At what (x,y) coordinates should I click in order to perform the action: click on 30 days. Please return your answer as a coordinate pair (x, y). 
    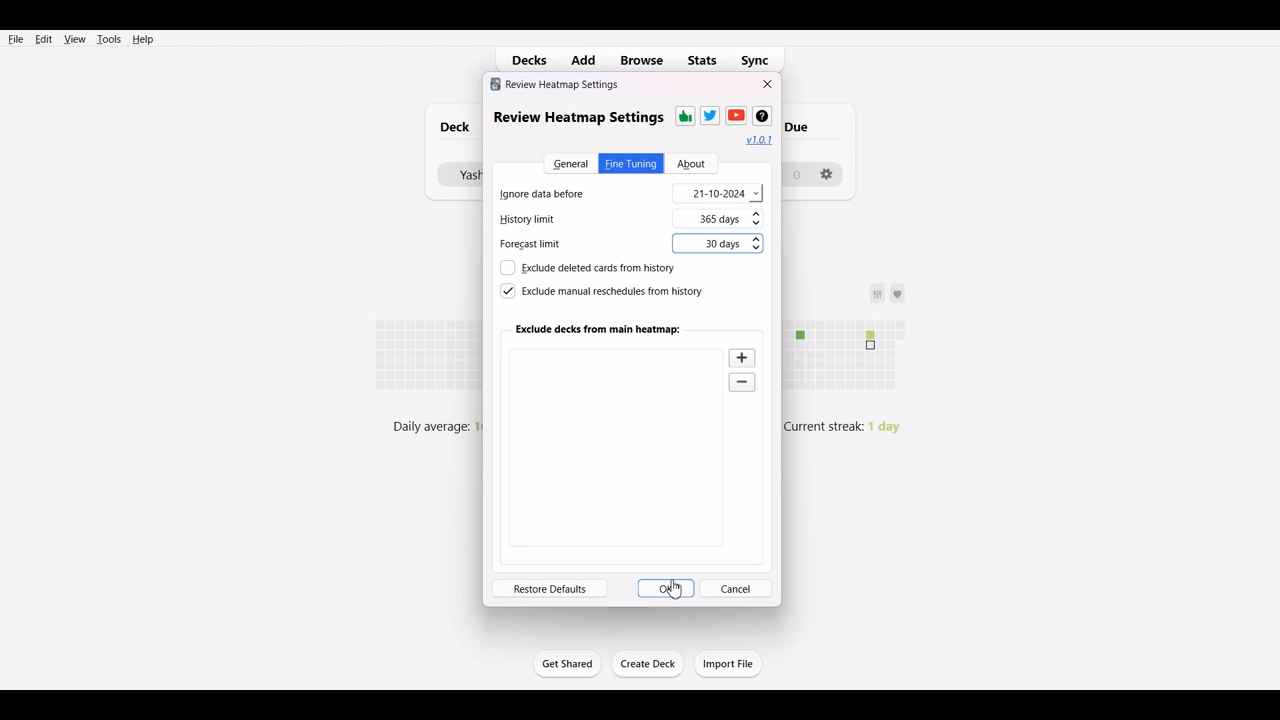
    Looking at the image, I should click on (725, 243).